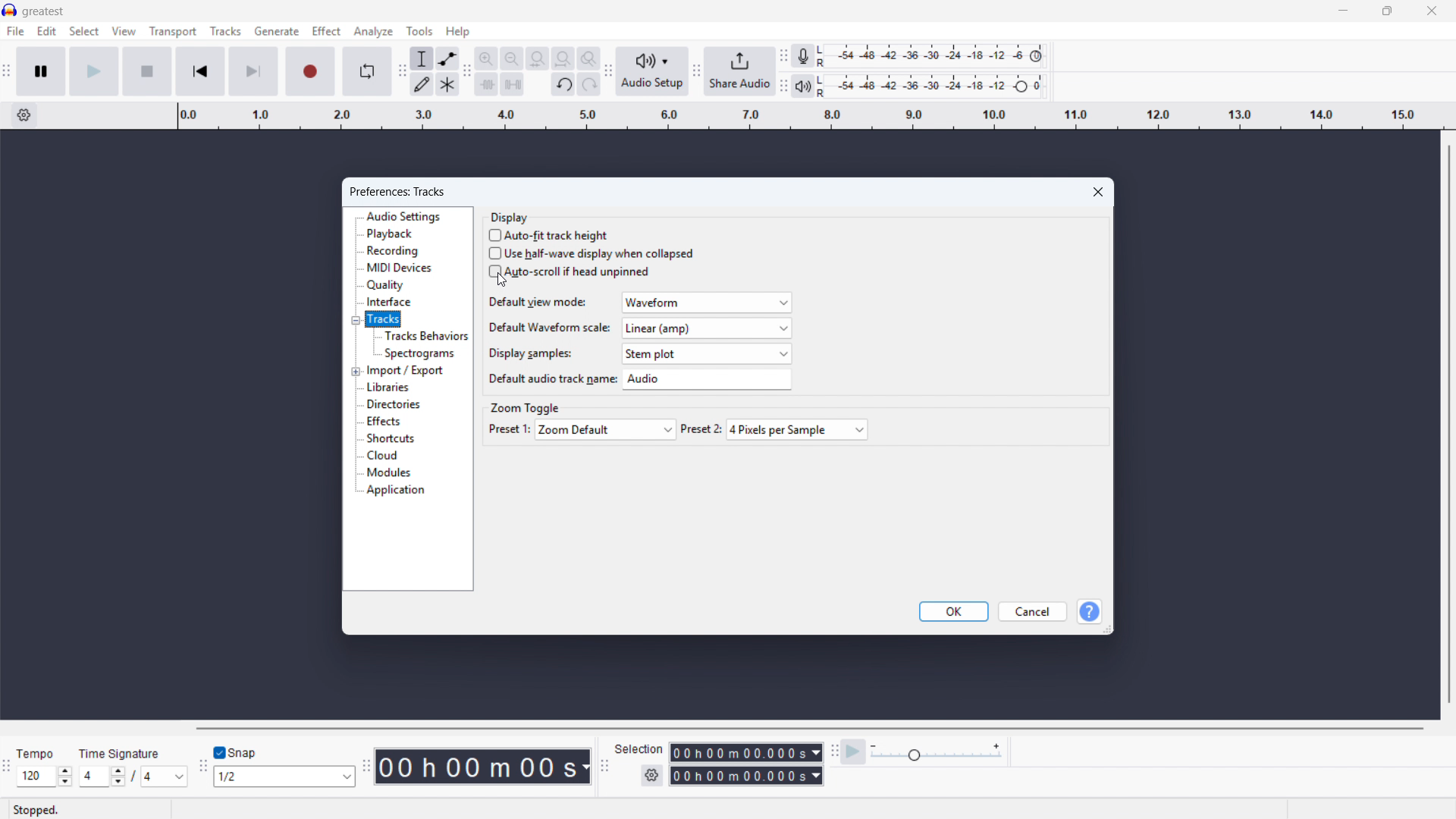 This screenshot has height=819, width=1456. Describe the element at coordinates (488, 58) in the screenshot. I see `Zoom in ` at that location.